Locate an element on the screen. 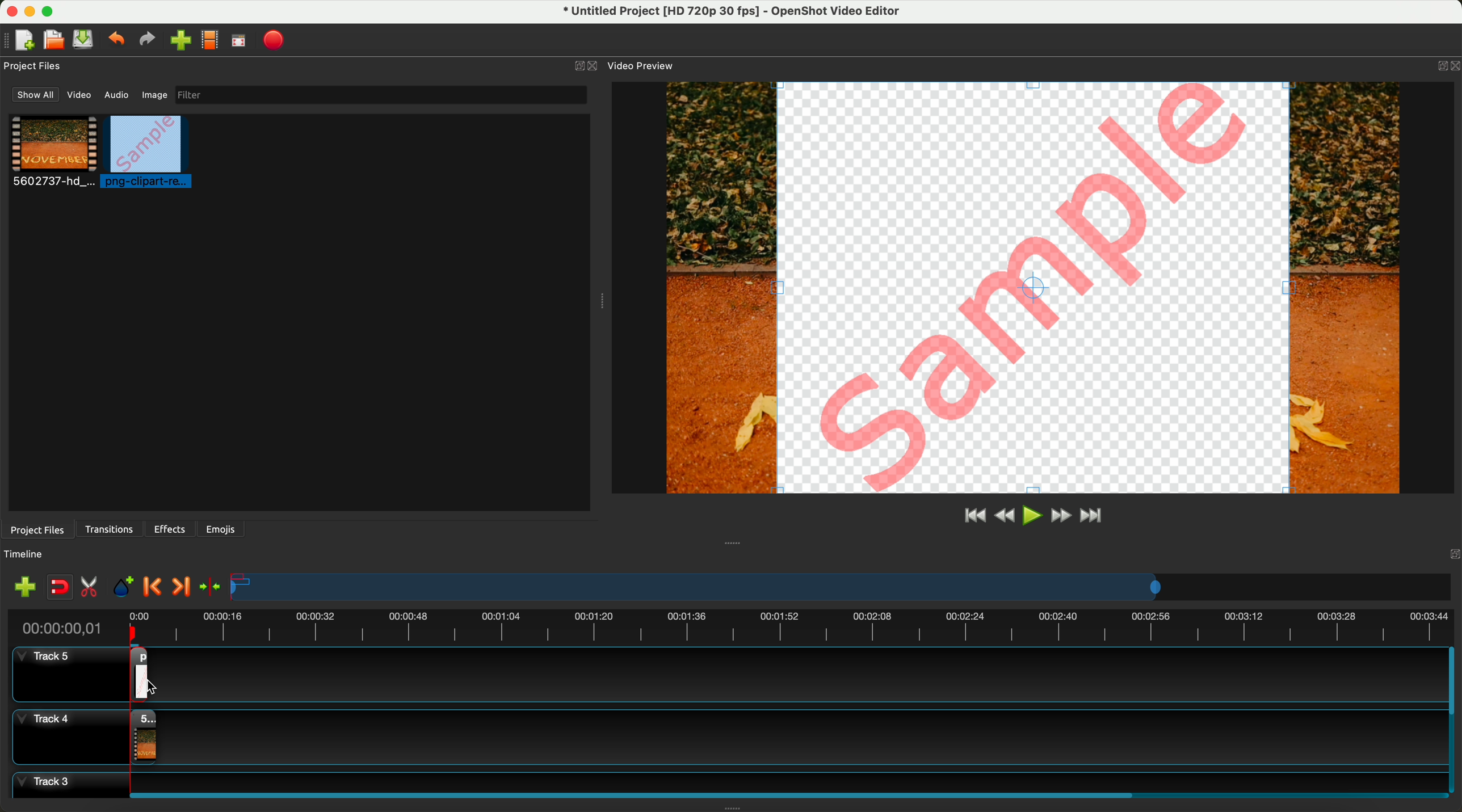 Image resolution: width=1462 pixels, height=812 pixels. drag image on track 5 is located at coordinates (142, 673).